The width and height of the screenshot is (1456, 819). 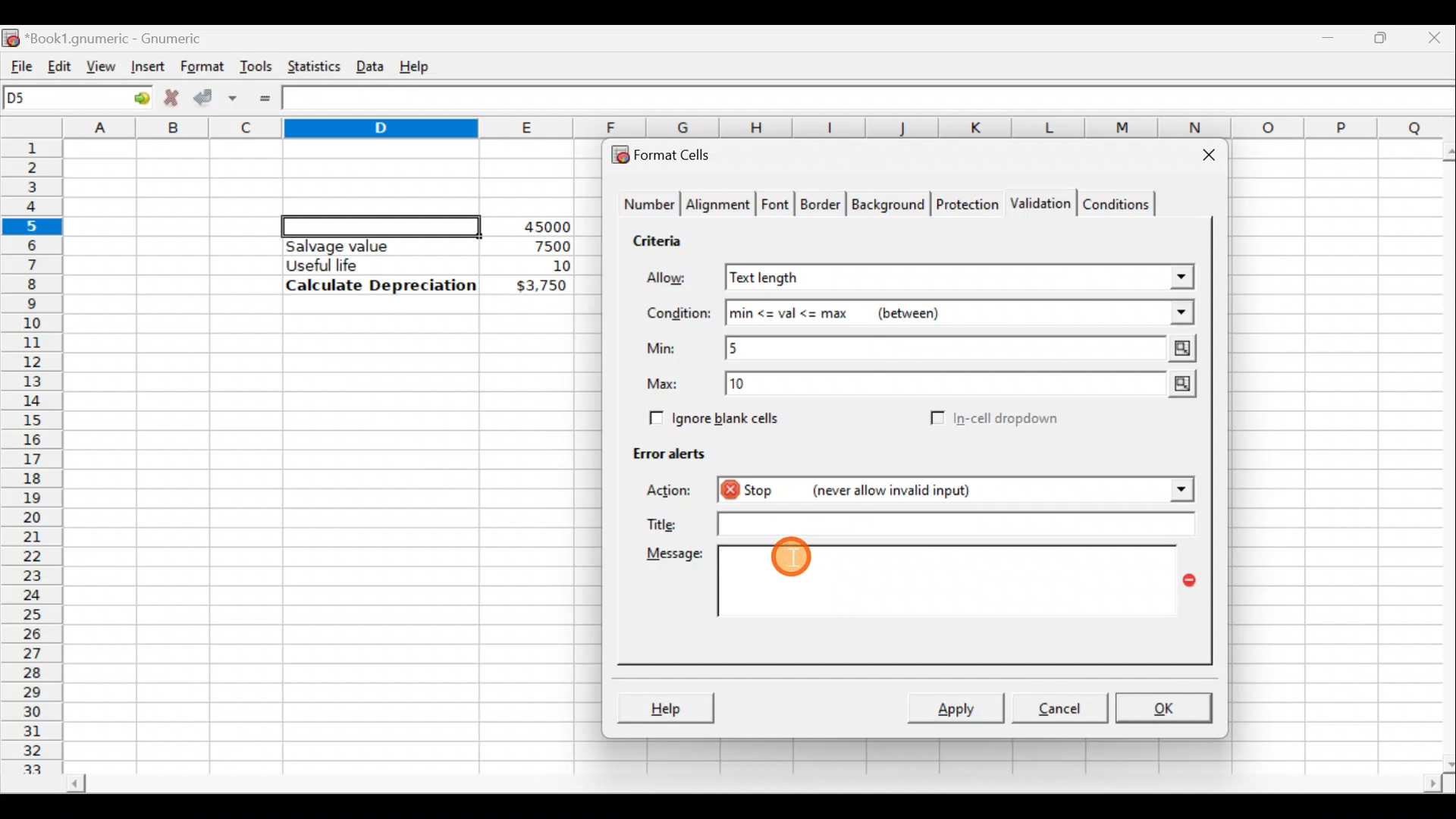 I want to click on 7500, so click(x=528, y=245).